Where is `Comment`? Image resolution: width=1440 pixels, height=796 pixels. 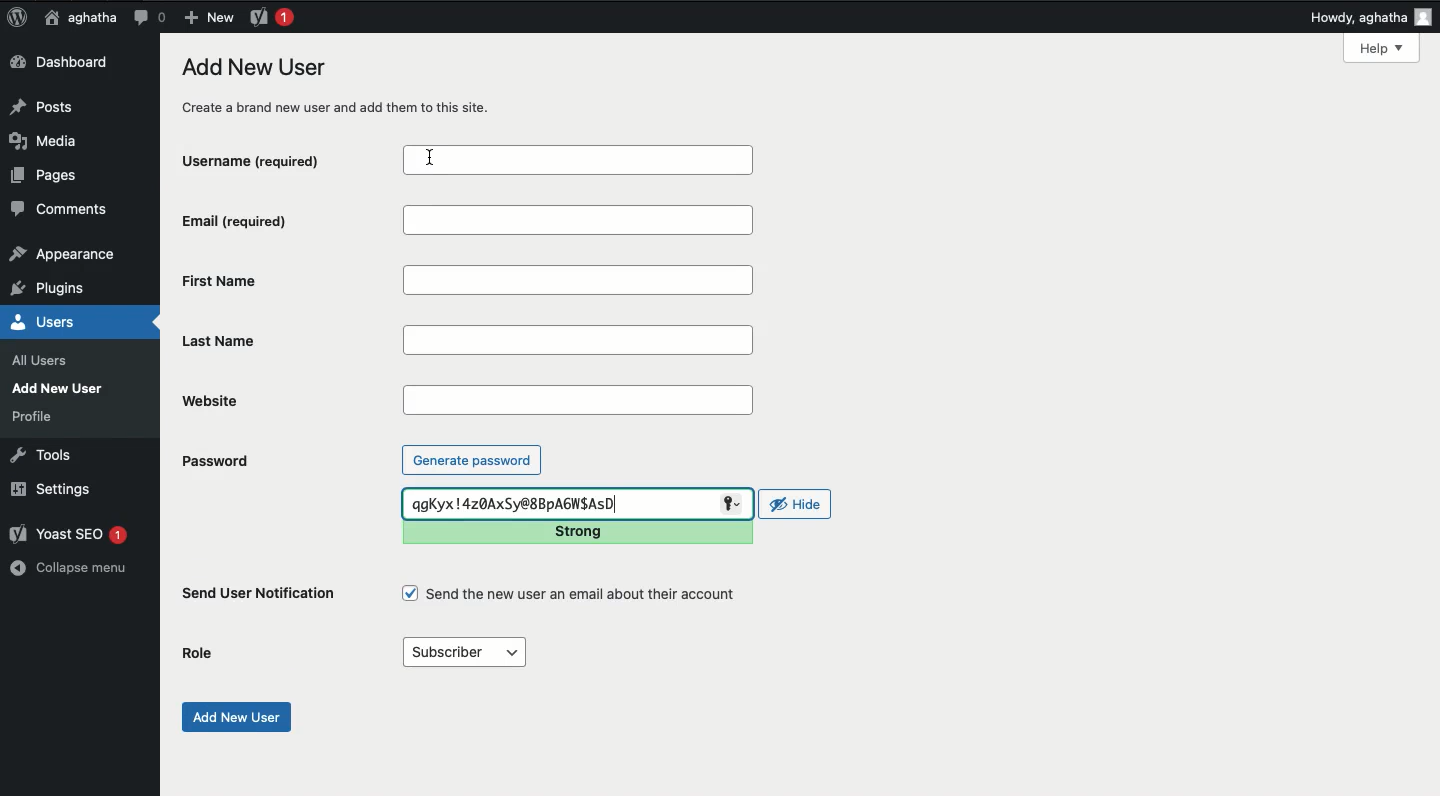
Comment is located at coordinates (149, 17).